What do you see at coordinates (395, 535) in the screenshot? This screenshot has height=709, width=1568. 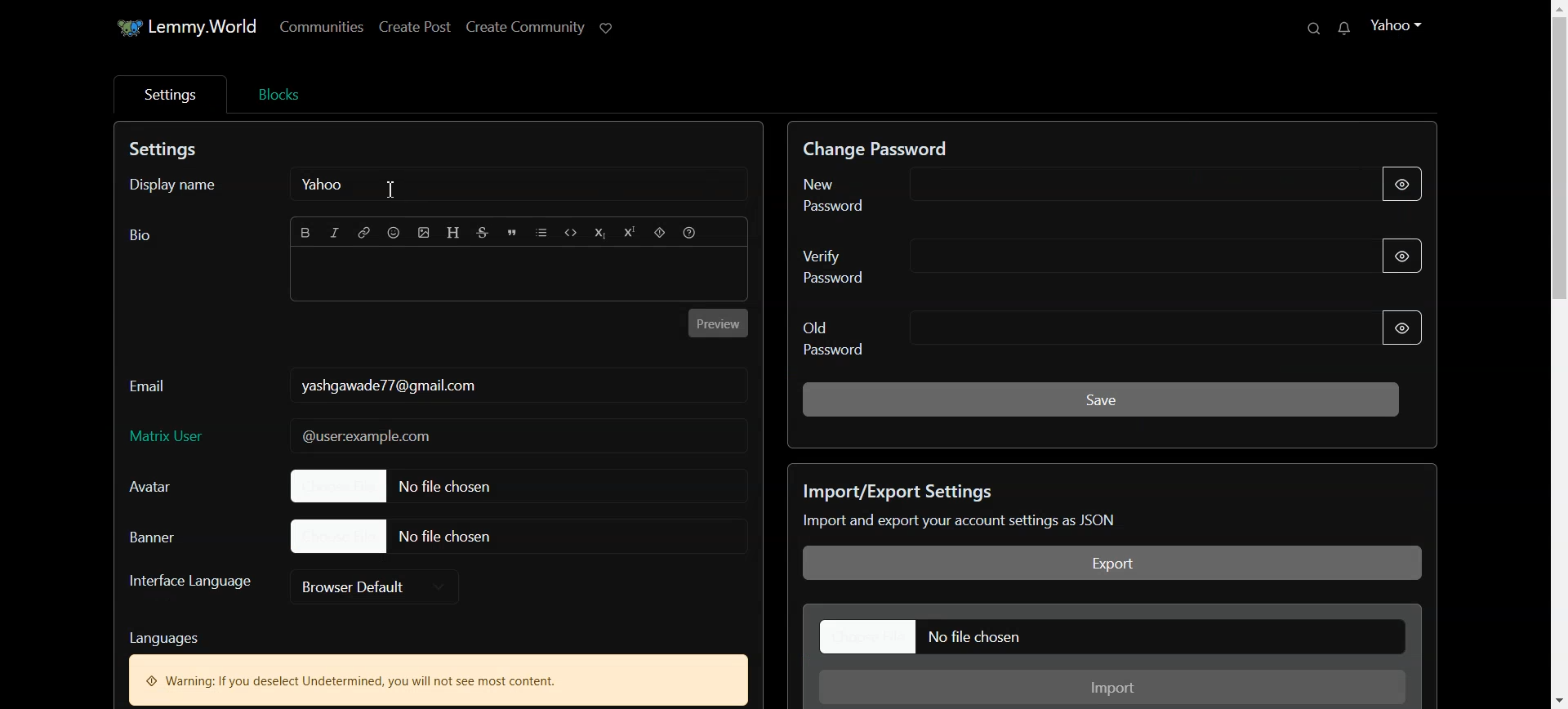 I see `File Chosen` at bounding box center [395, 535].